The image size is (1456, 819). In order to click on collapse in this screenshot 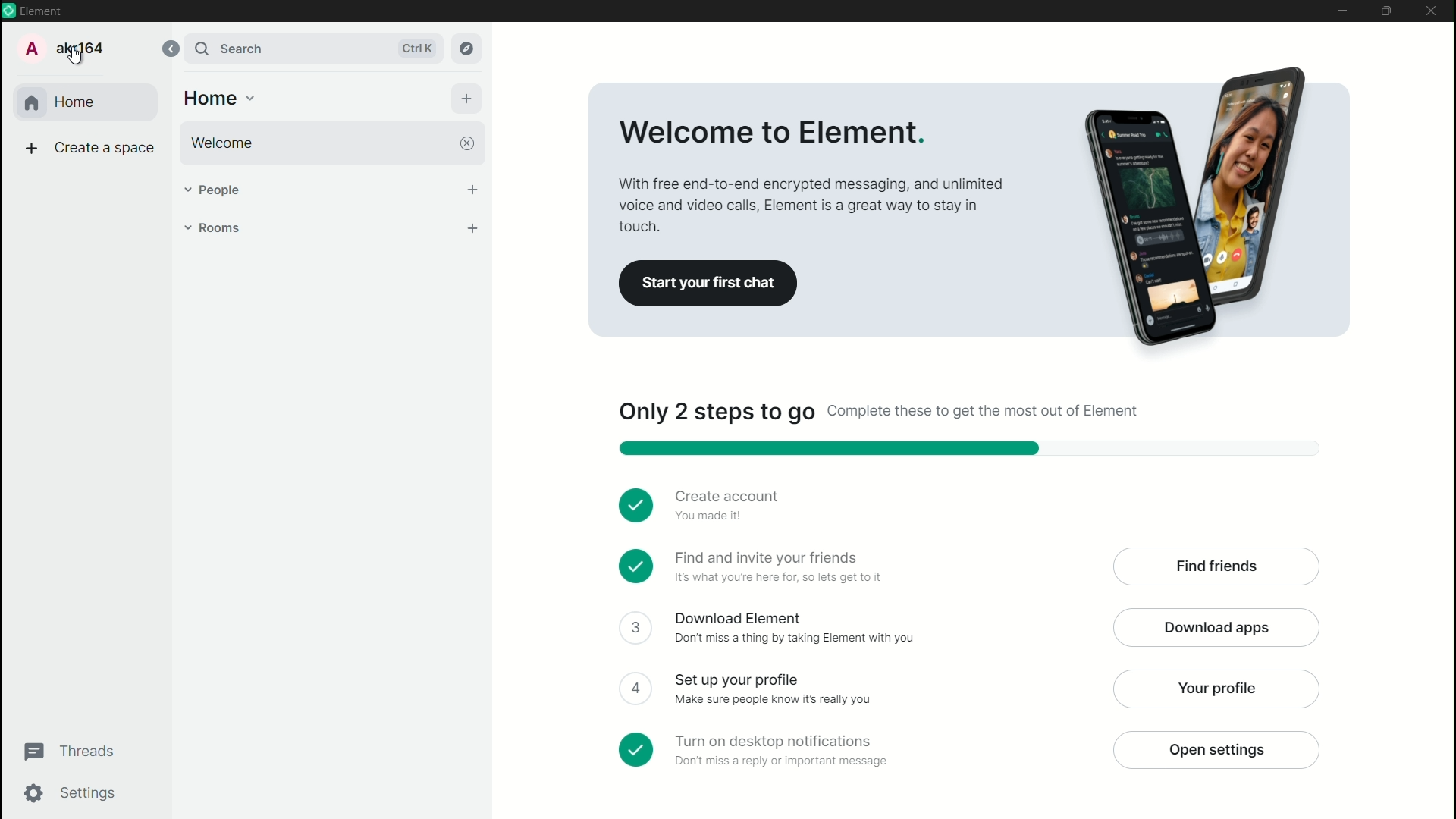, I will do `click(170, 47)`.